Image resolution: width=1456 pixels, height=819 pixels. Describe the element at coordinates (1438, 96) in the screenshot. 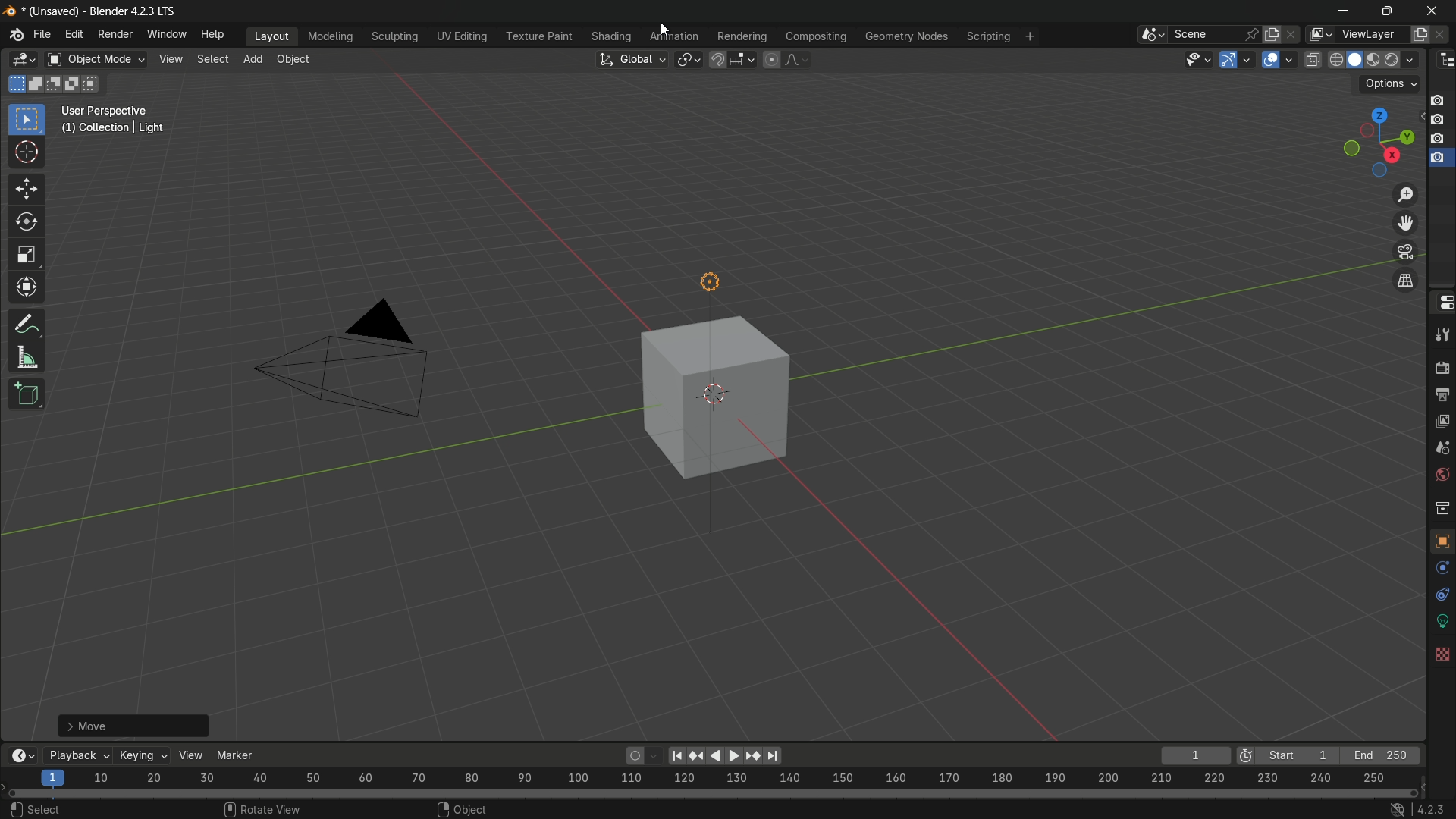

I see `capture` at that location.